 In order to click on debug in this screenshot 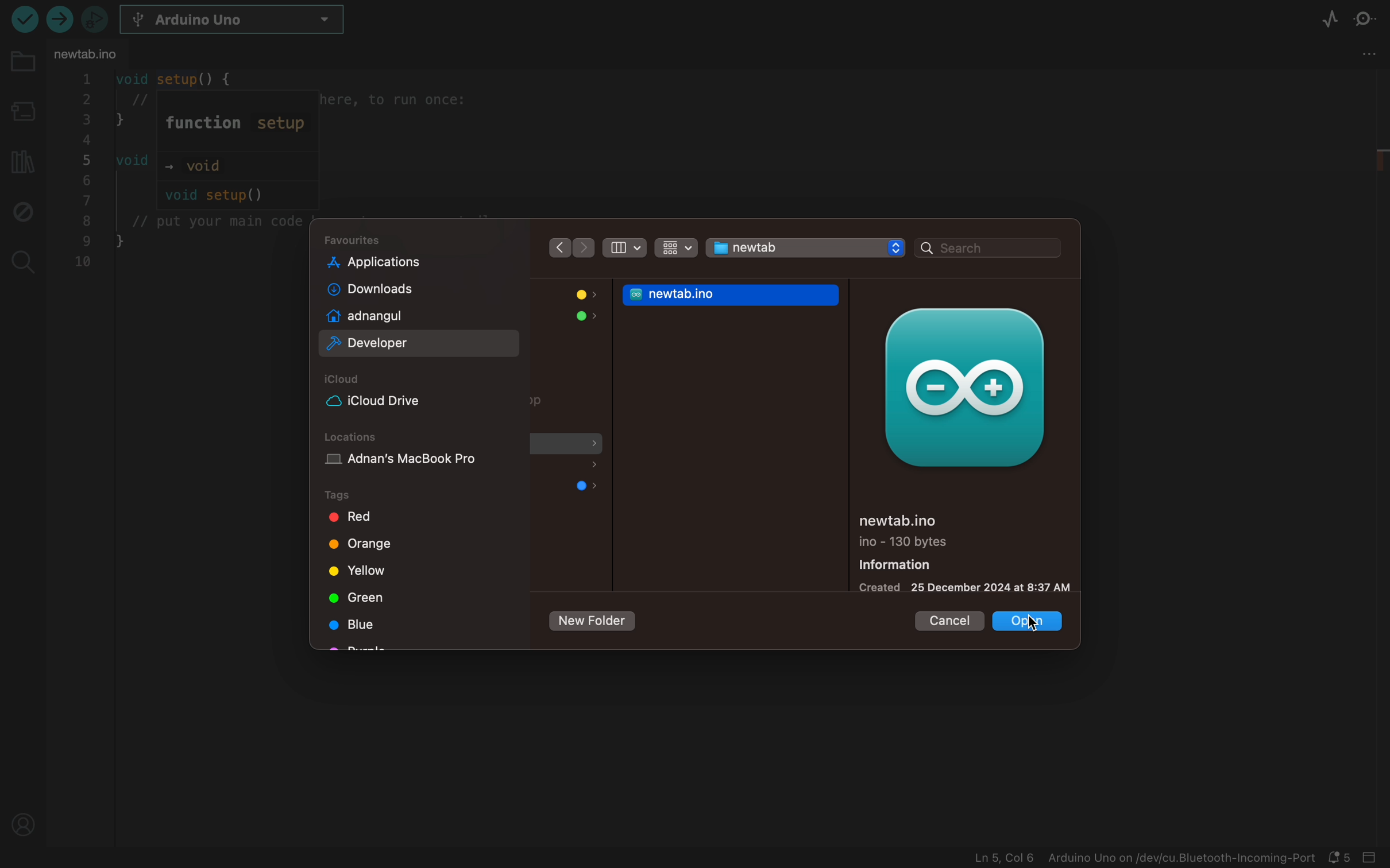, I will do `click(21, 210)`.